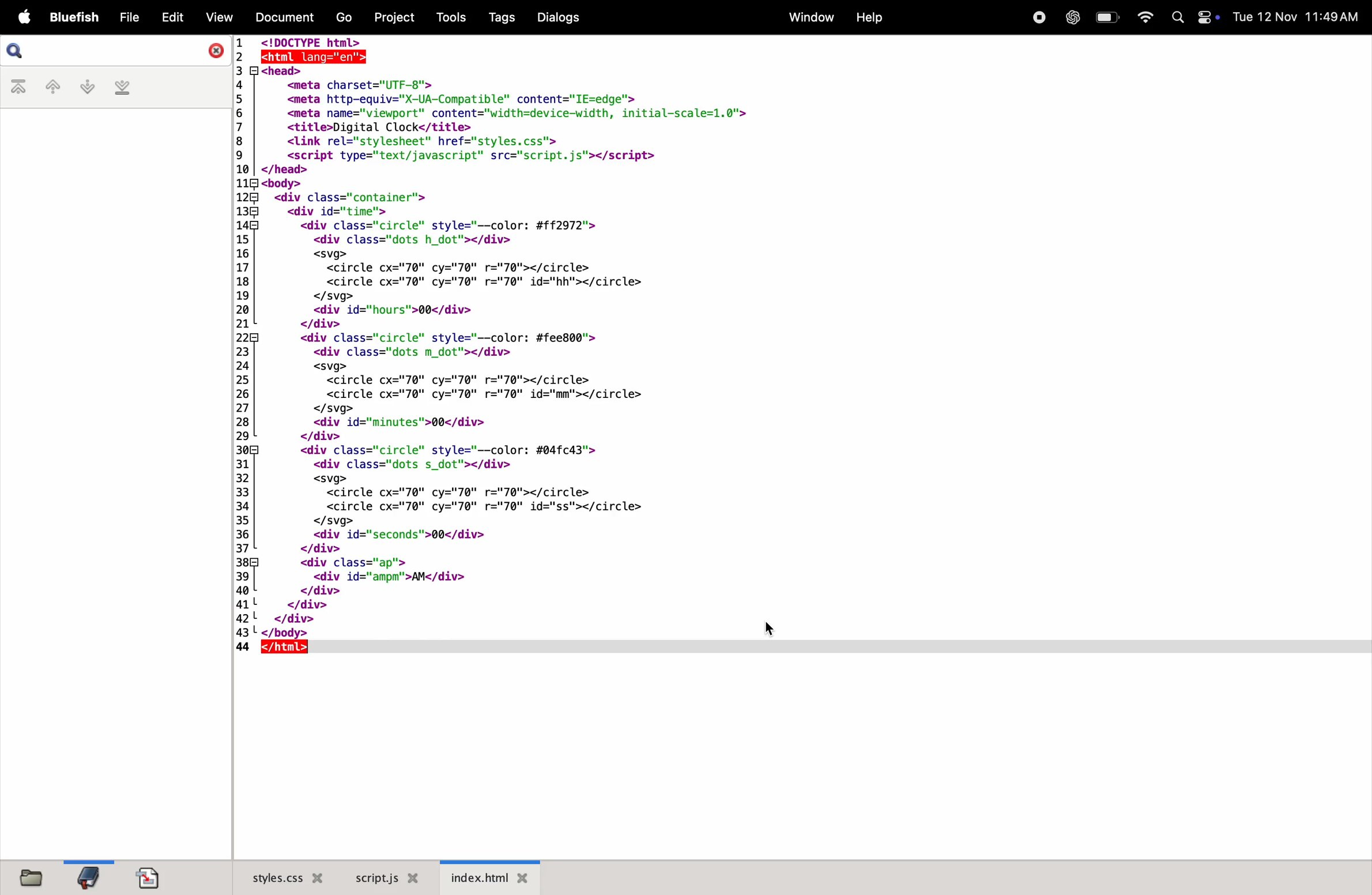 The image size is (1372, 895). What do you see at coordinates (559, 17) in the screenshot?
I see `dialogs` at bounding box center [559, 17].